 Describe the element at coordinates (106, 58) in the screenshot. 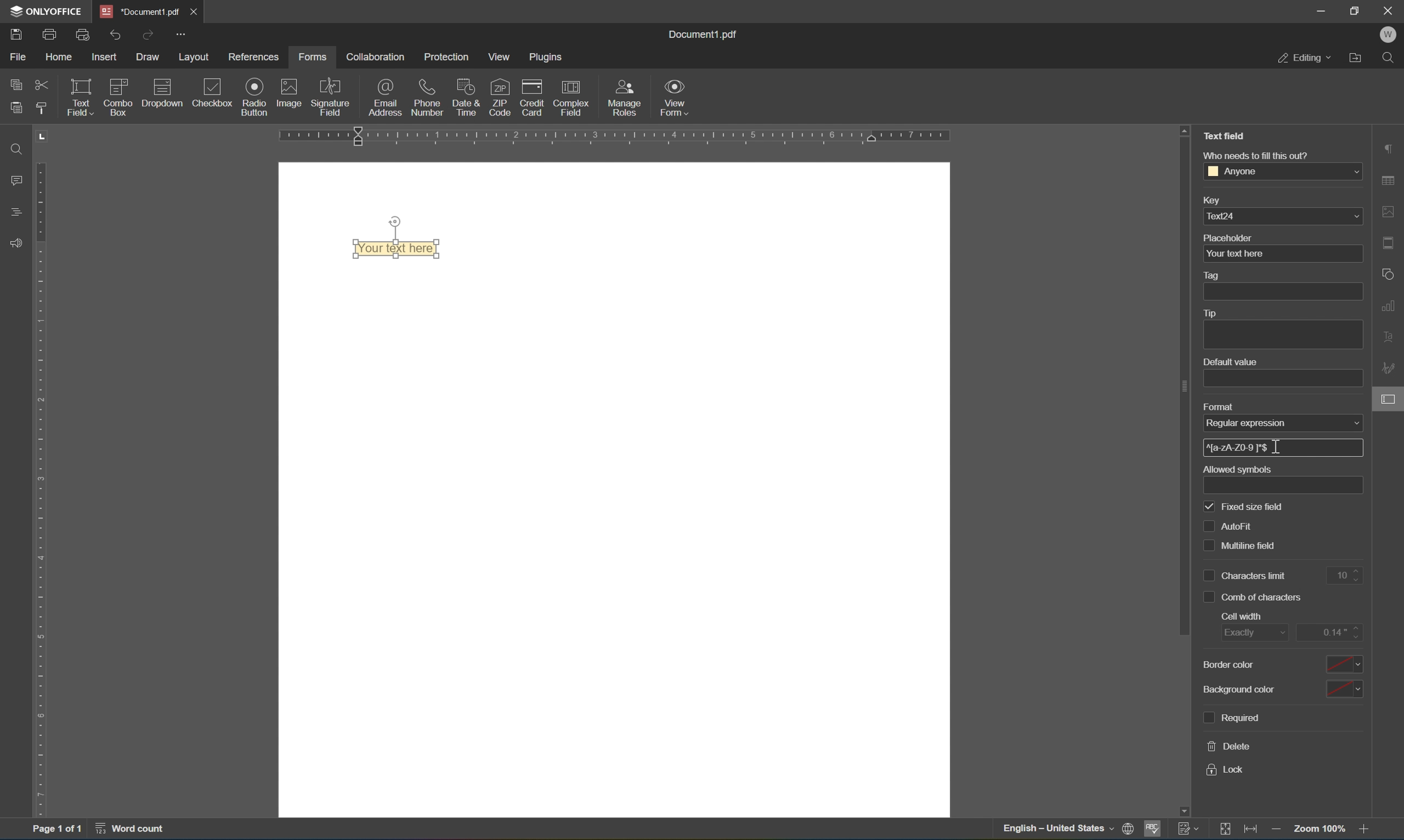

I see `insert` at that location.